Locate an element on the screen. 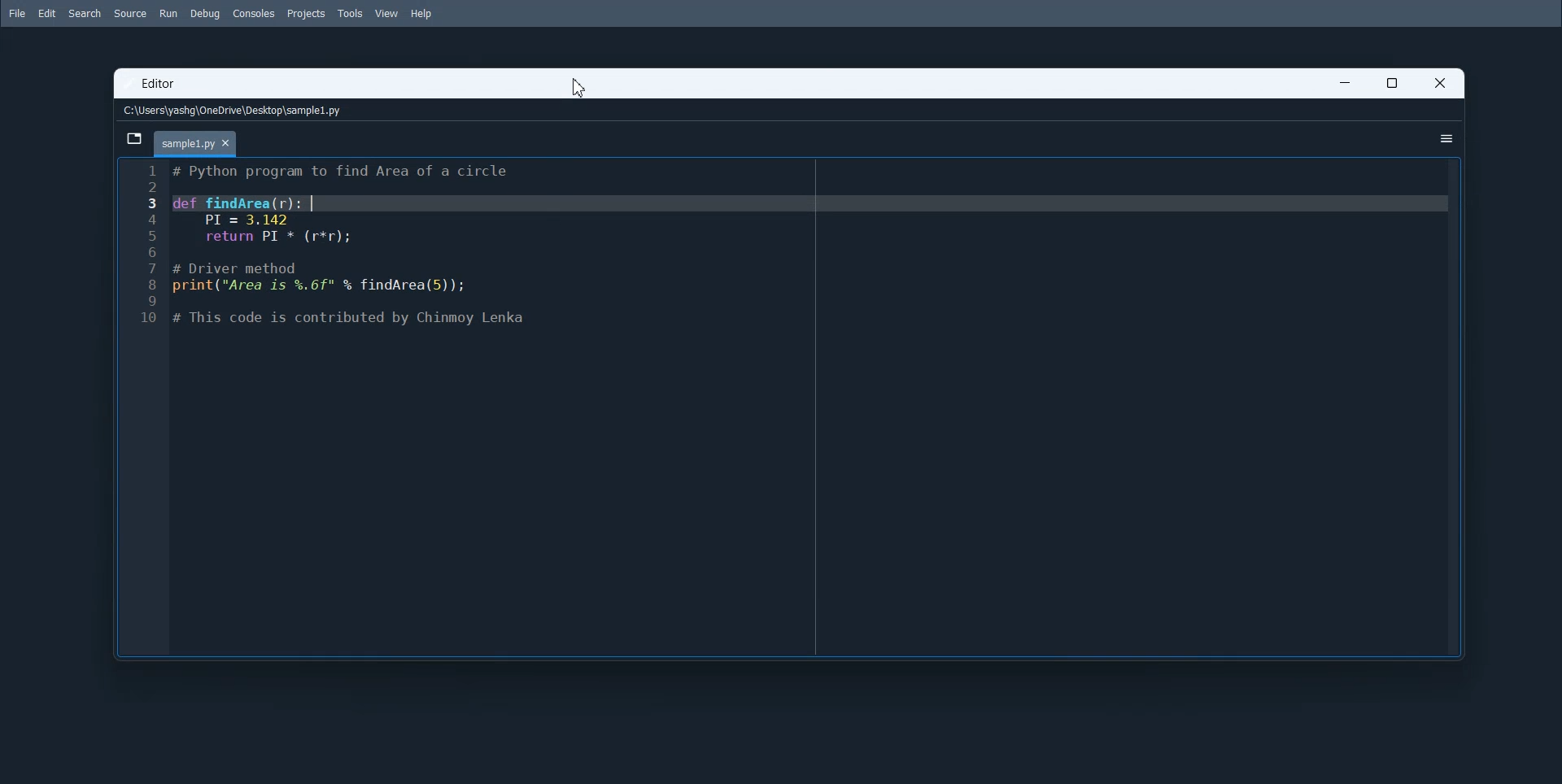 This screenshot has width=1562, height=784. Options is located at coordinates (1446, 138).